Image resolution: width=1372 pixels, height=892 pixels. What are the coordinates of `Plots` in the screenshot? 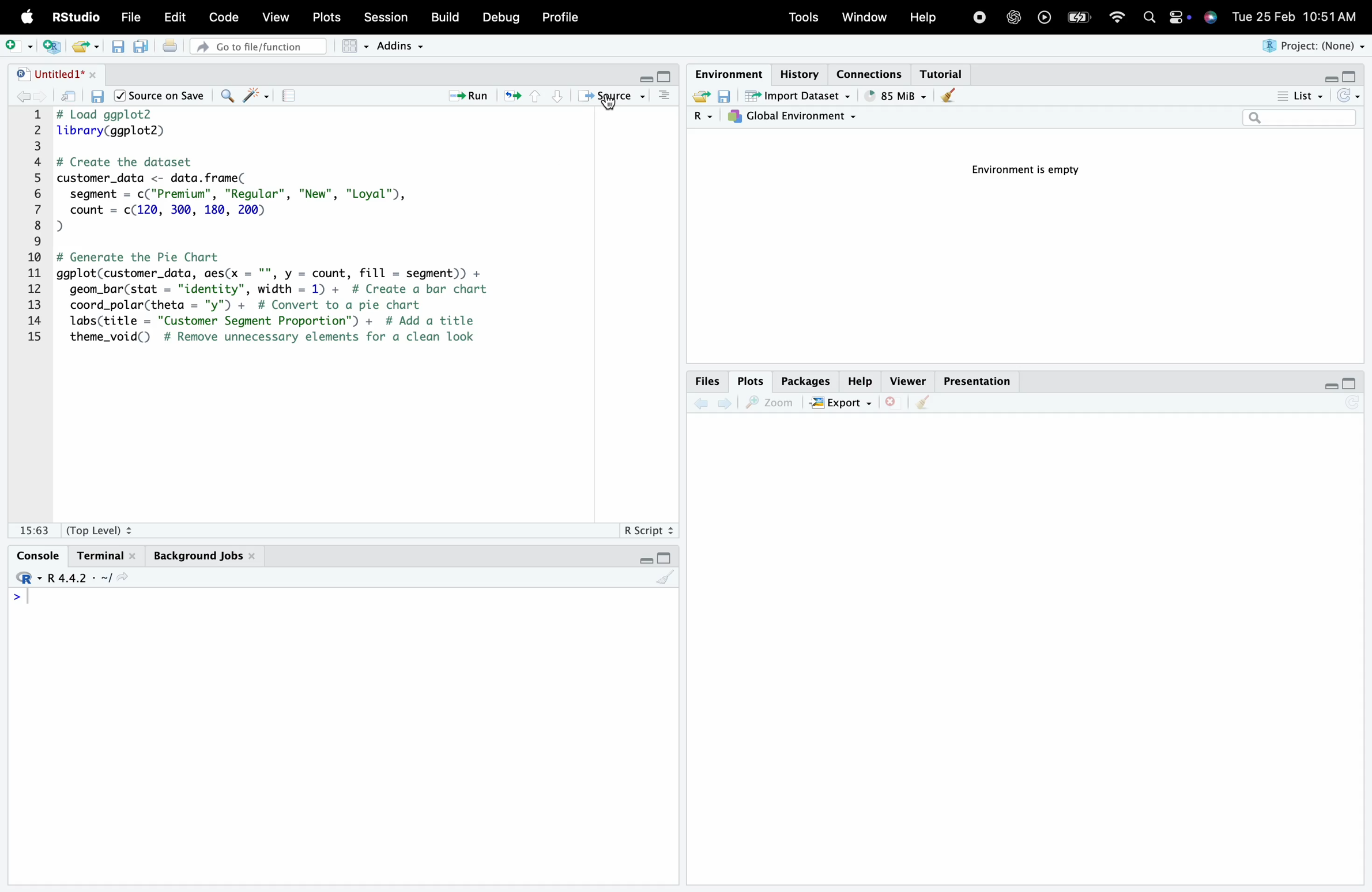 It's located at (330, 17).